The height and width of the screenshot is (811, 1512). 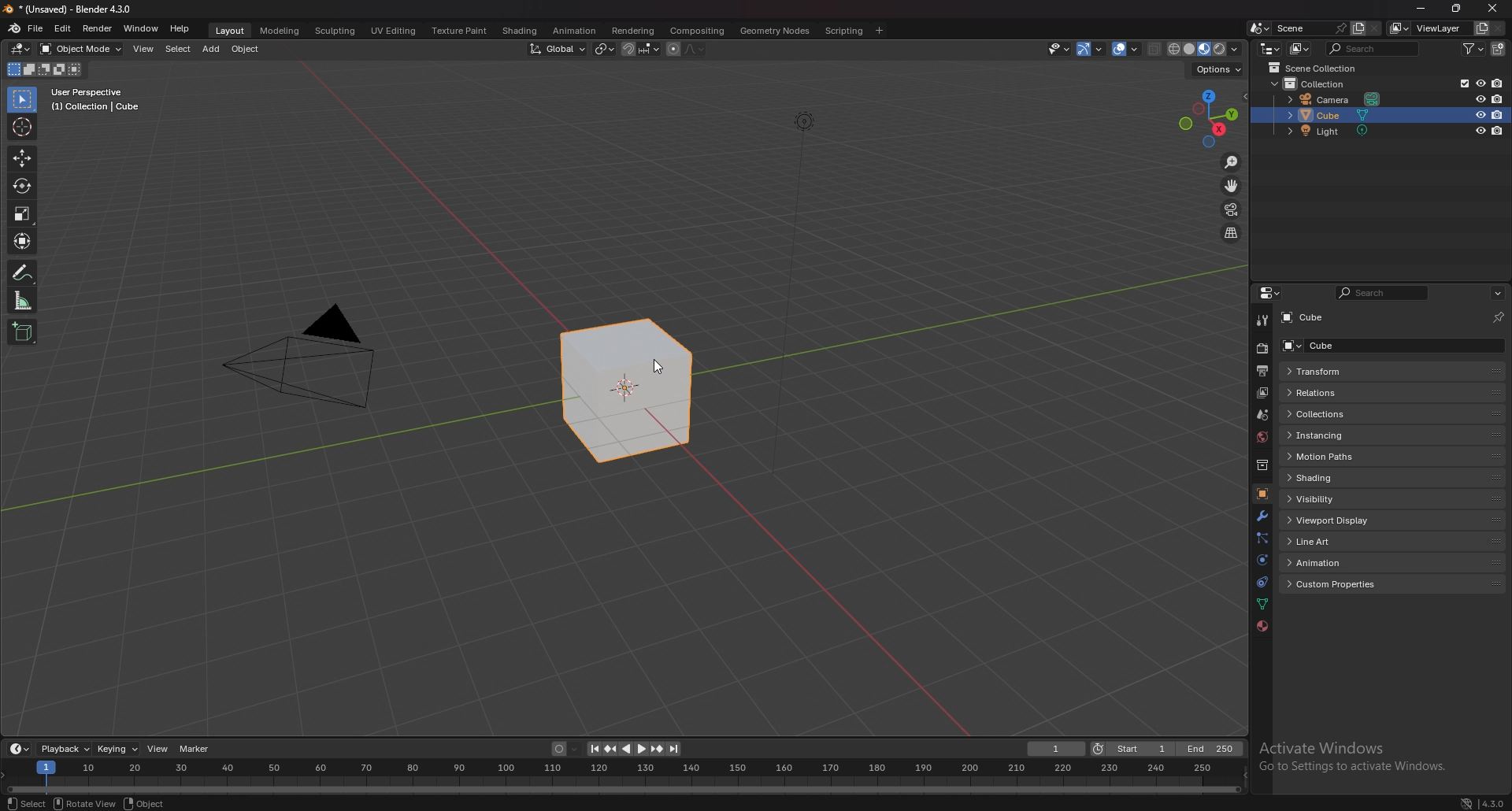 I want to click on marker, so click(x=195, y=749).